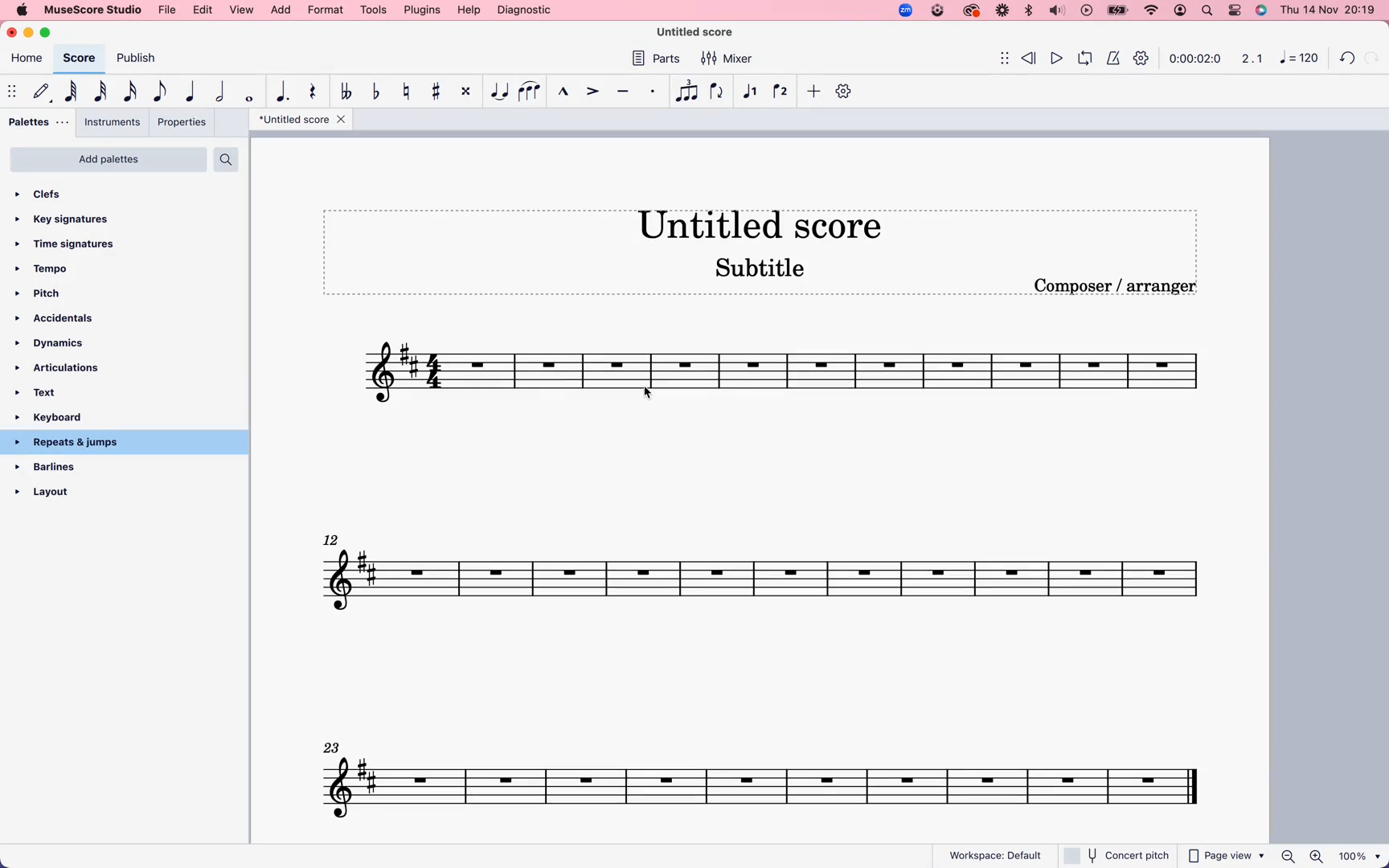 Image resolution: width=1389 pixels, height=868 pixels. What do you see at coordinates (468, 92) in the screenshot?
I see `toggle double sharp` at bounding box center [468, 92].